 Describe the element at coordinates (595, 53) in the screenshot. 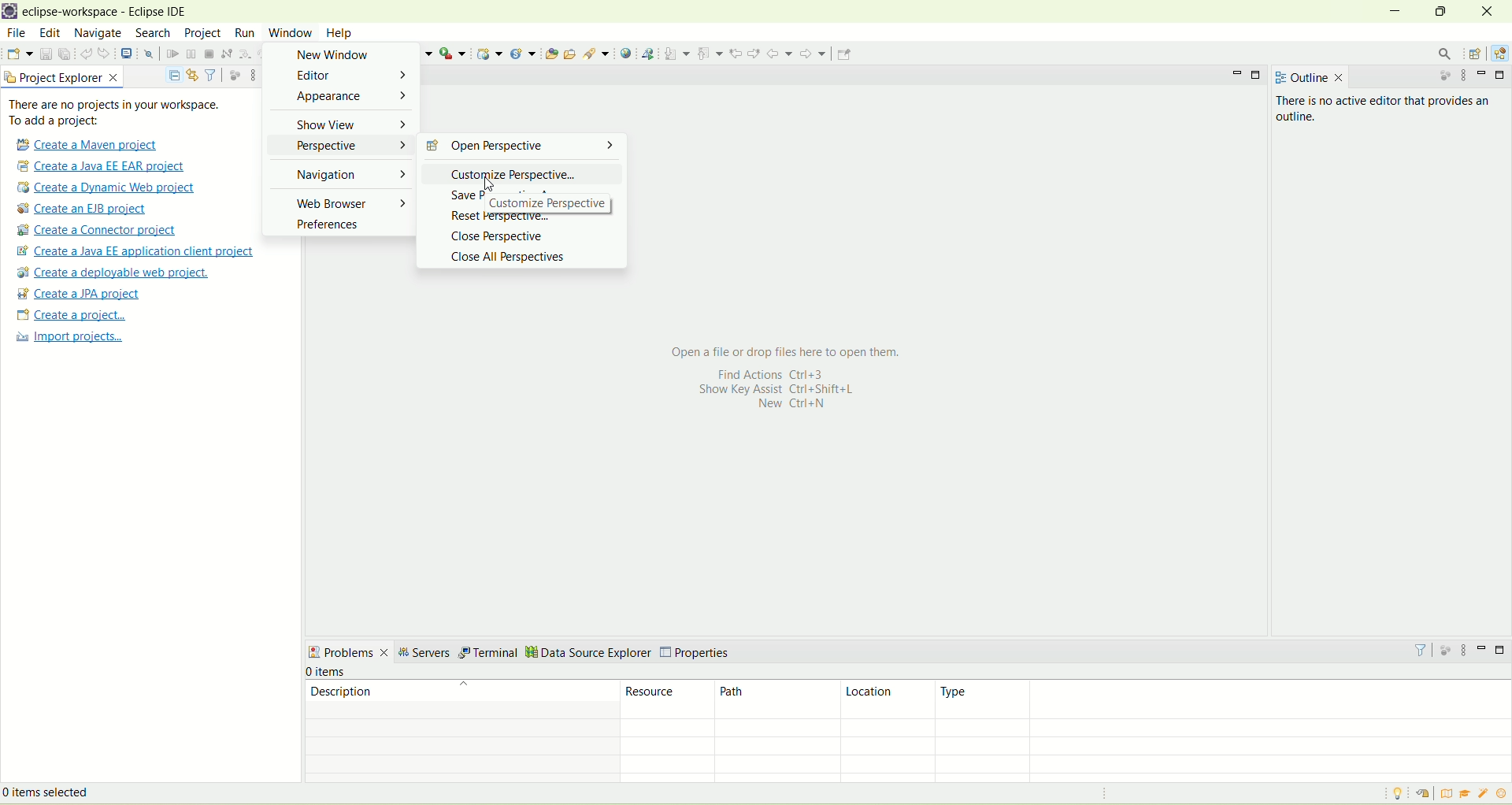

I see `search` at that location.